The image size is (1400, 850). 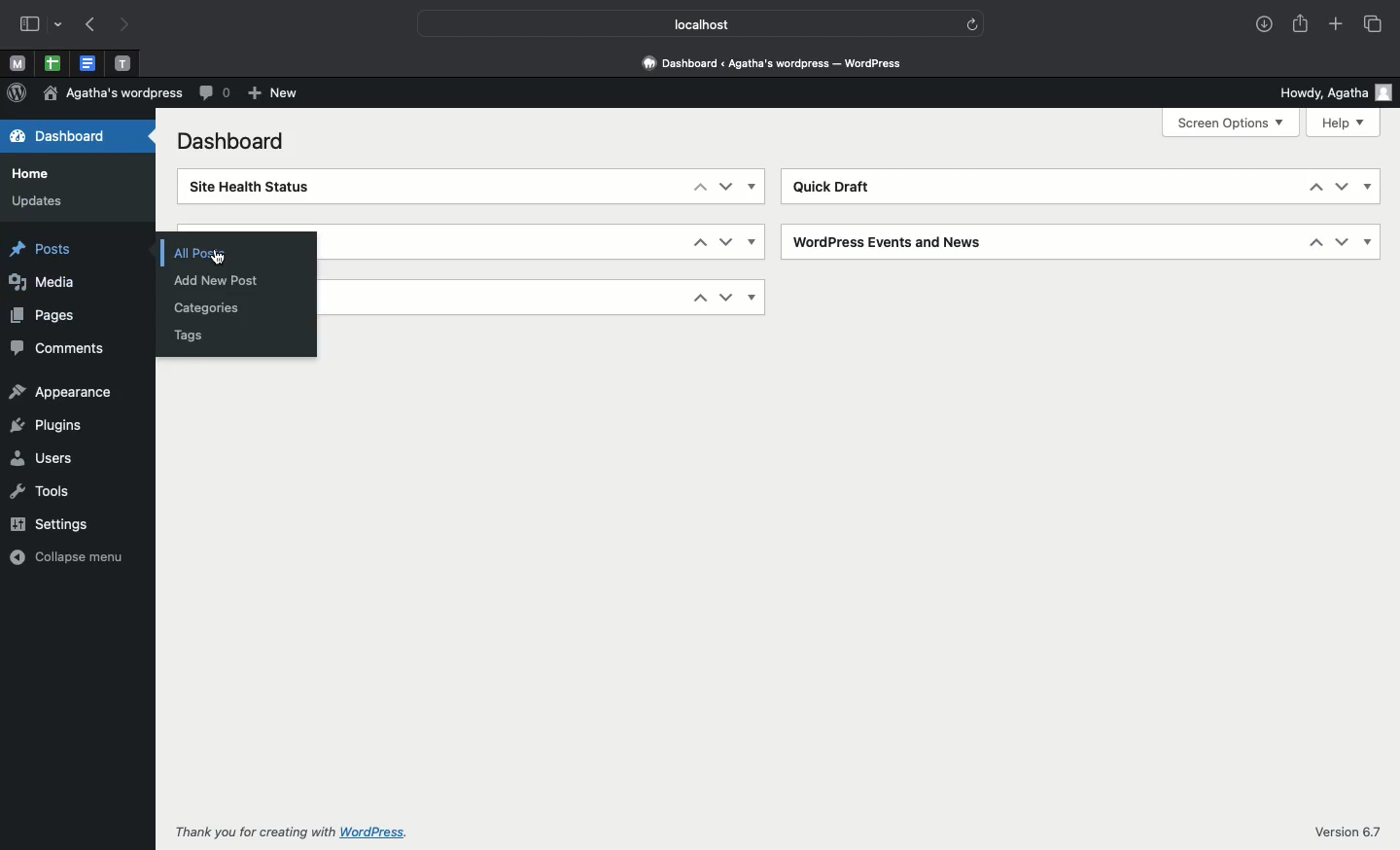 What do you see at coordinates (1337, 25) in the screenshot?
I see `Add new tab` at bounding box center [1337, 25].